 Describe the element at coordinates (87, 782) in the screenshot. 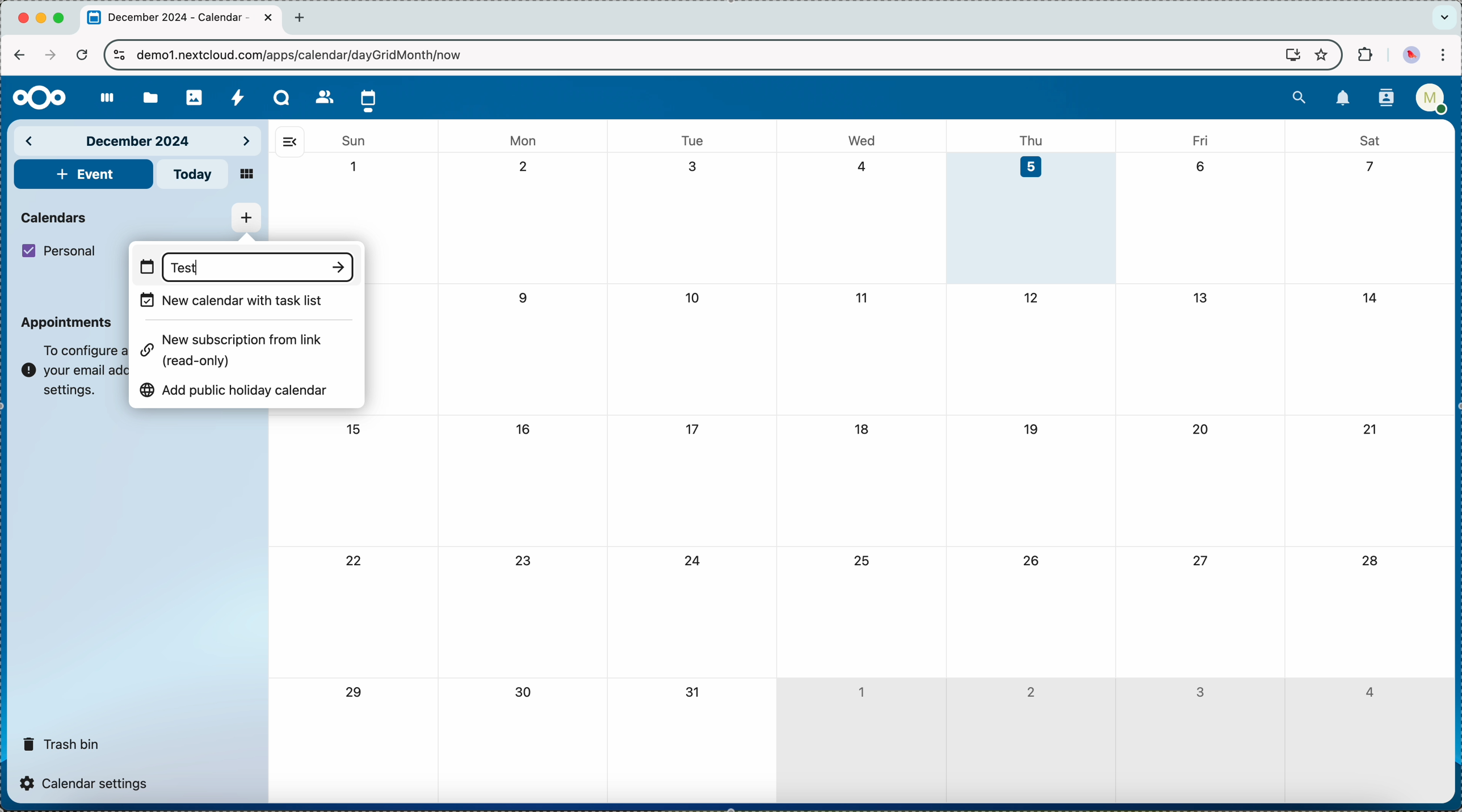

I see `calendar settings` at that location.